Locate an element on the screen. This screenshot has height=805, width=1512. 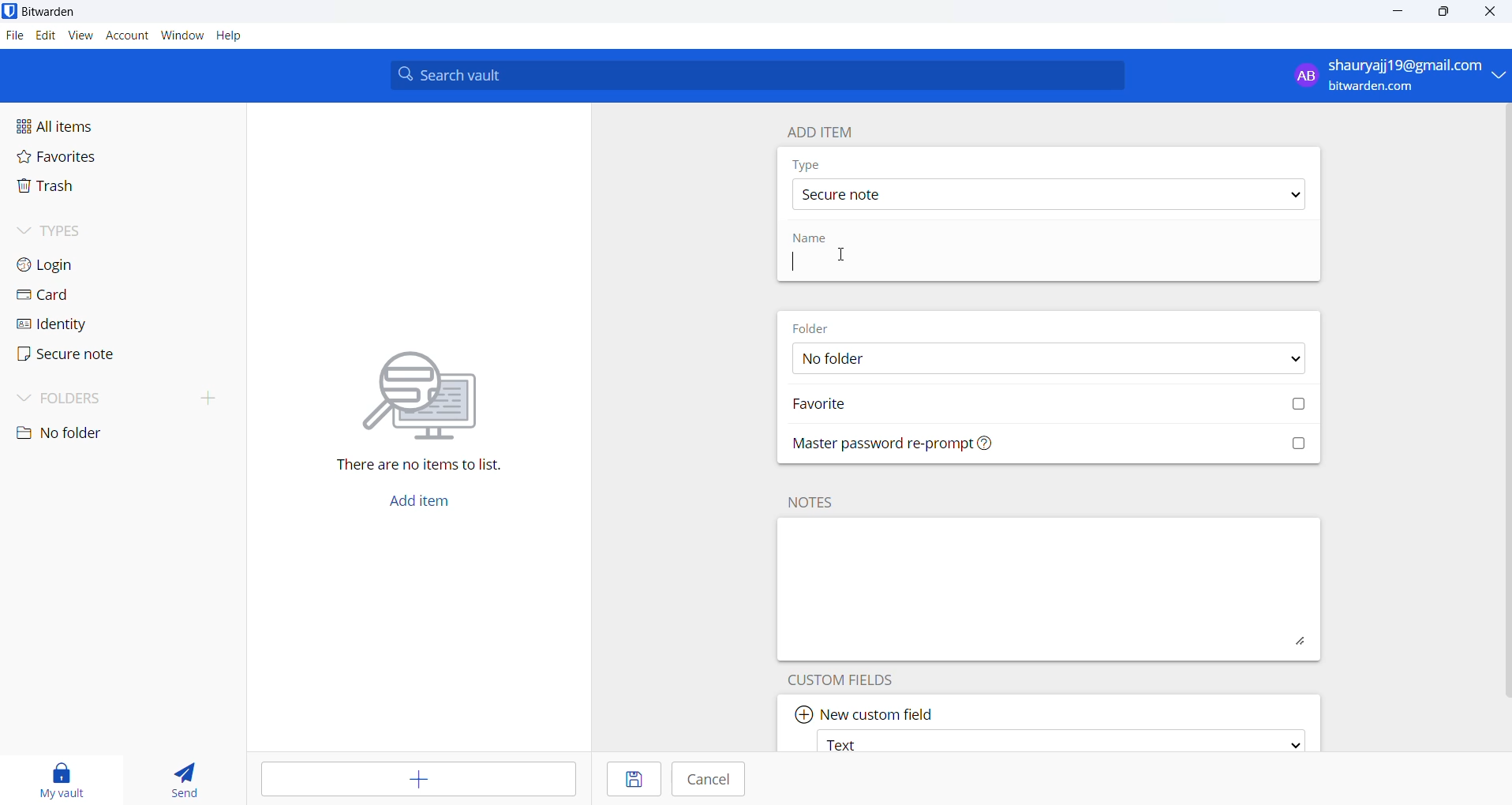
send is located at coordinates (183, 776).